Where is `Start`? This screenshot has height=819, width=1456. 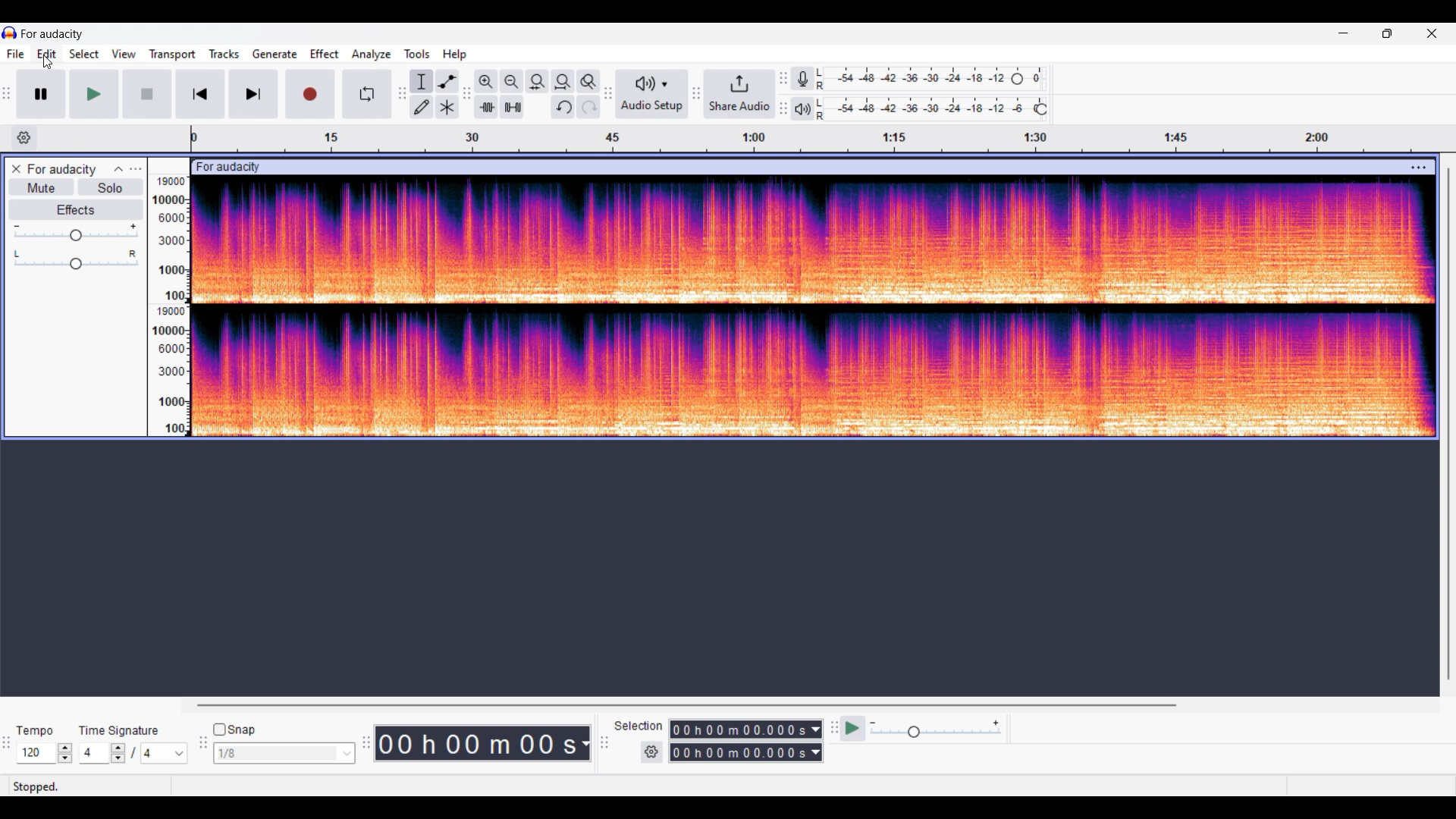
Start is located at coordinates (148, 94).